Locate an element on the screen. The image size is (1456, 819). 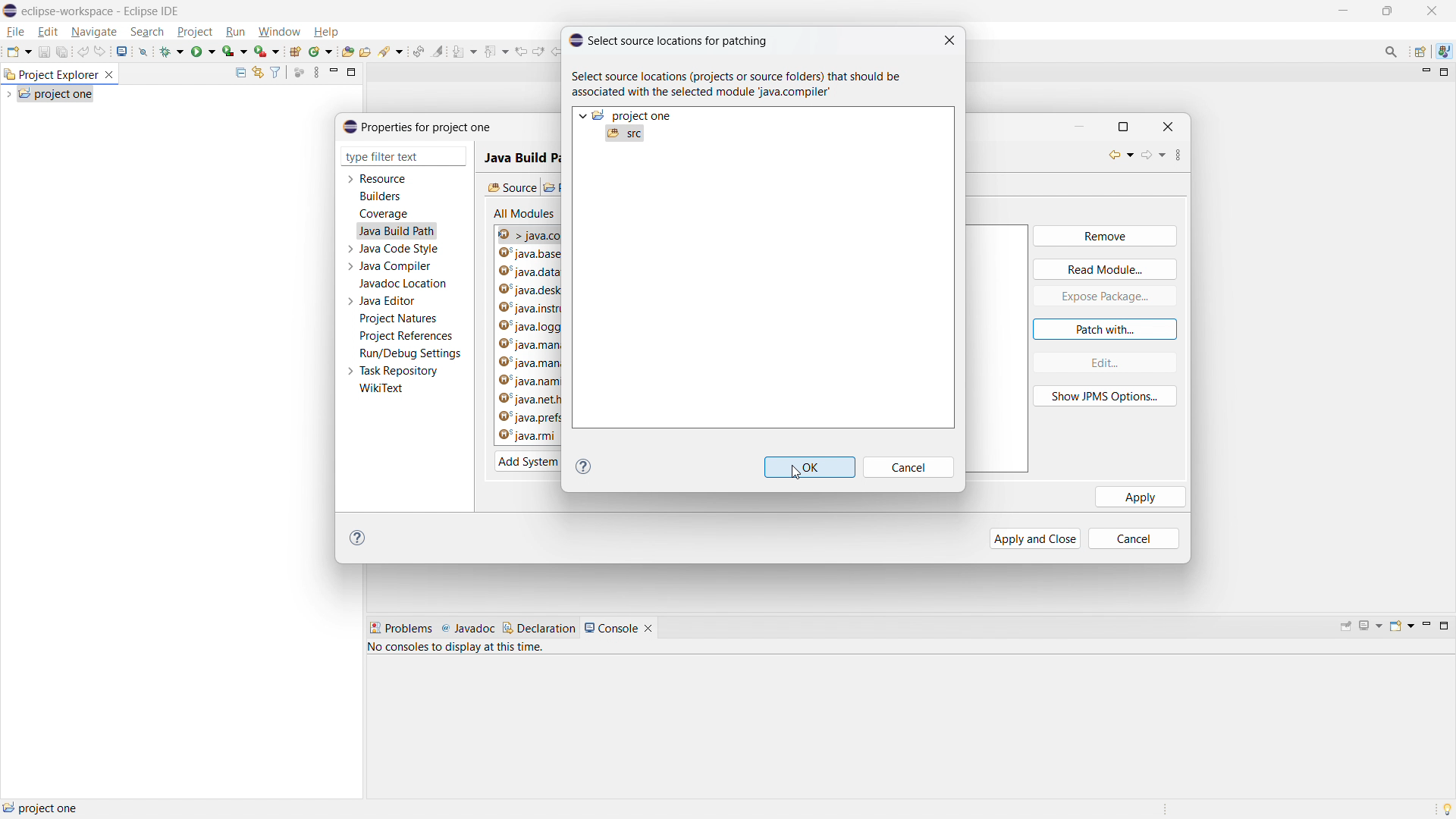
coverage is located at coordinates (235, 51).